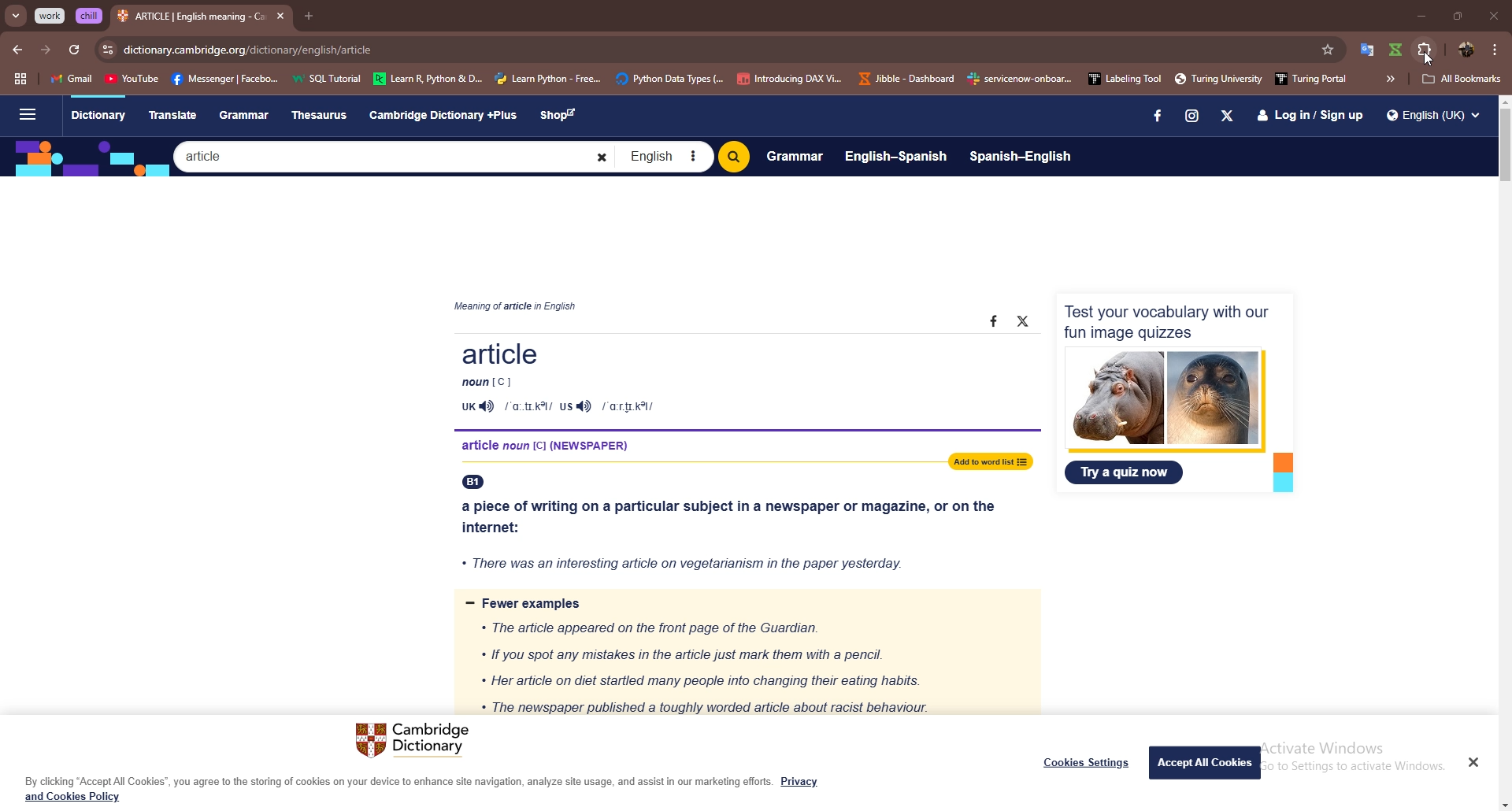 Image resolution: width=1512 pixels, height=811 pixels. I want to click on a piece of writing on a particular subject in a newspaper or magazine, or on the
internet:
« There was an interesting article on vegetarianism in the paper yesterday., so click(735, 530).